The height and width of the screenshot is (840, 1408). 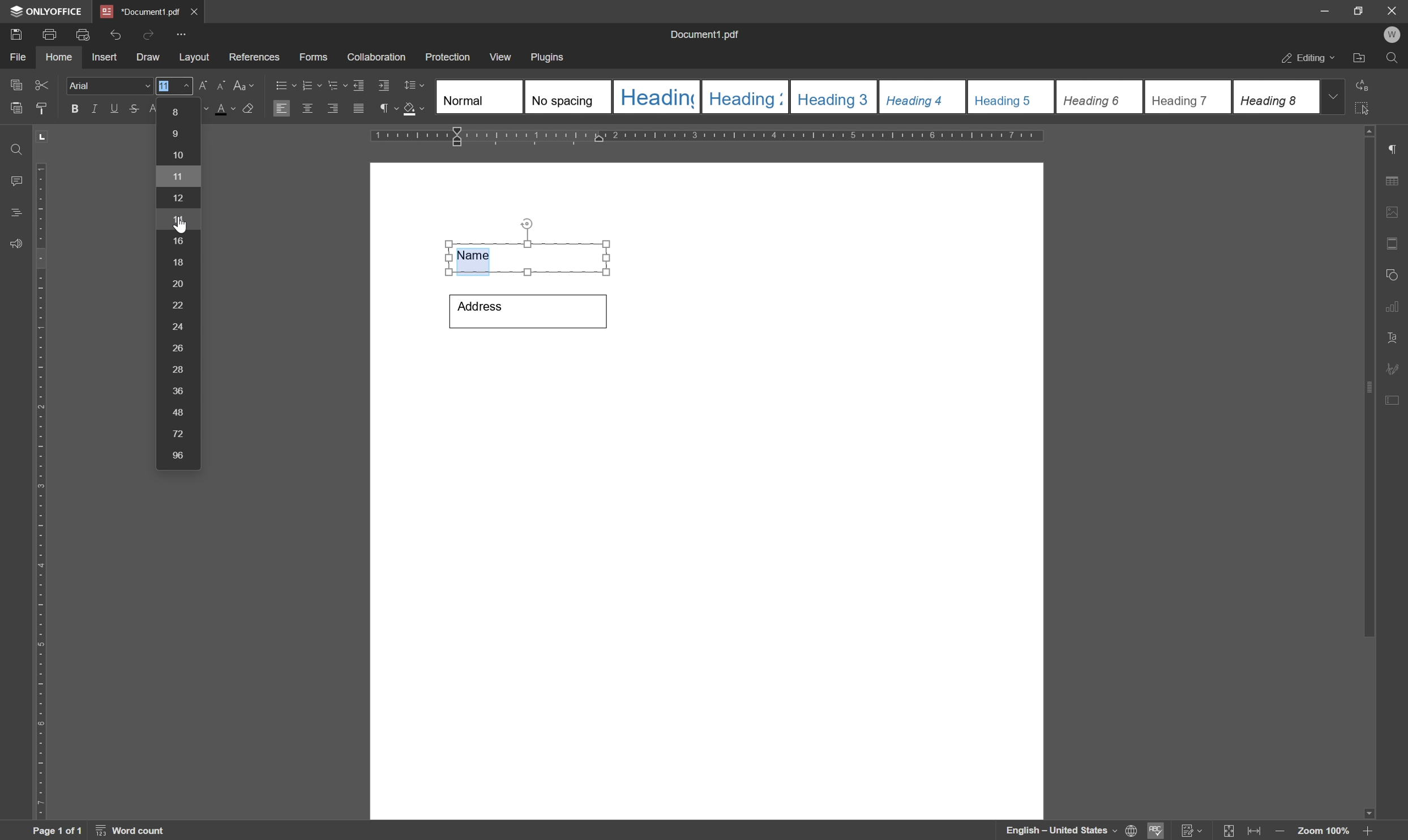 I want to click on protection, so click(x=448, y=57).